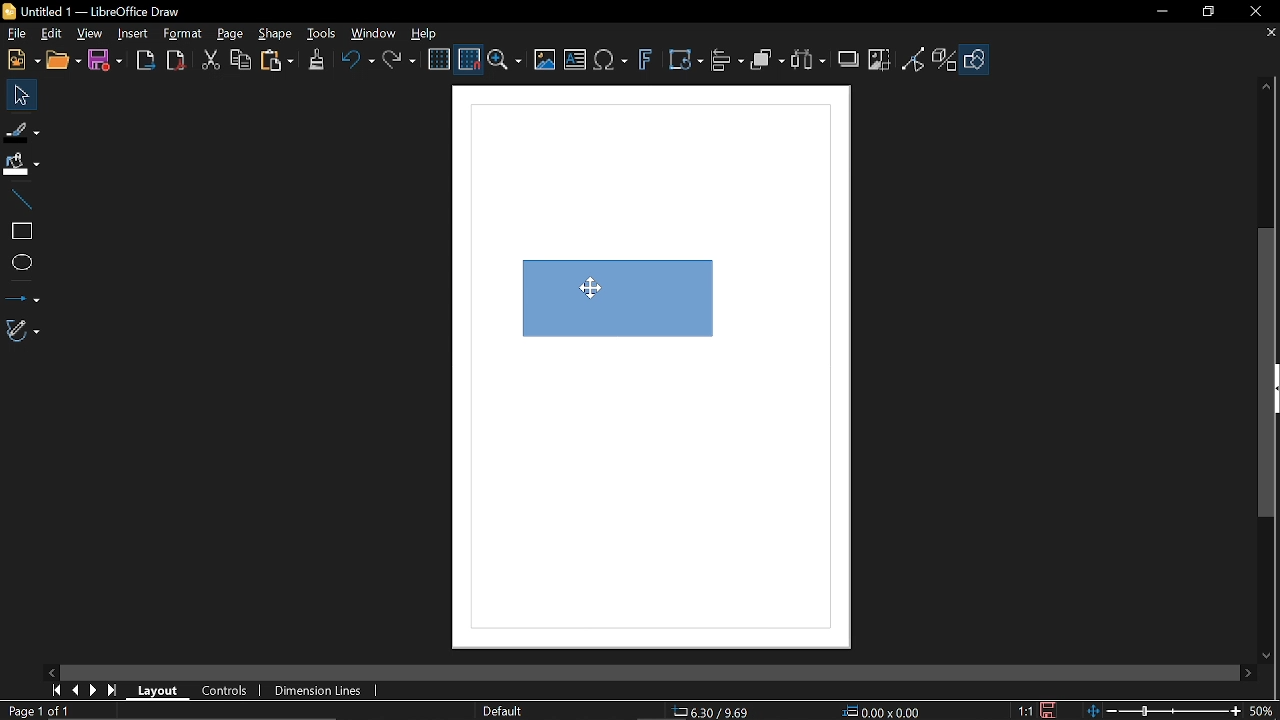 The width and height of the screenshot is (1280, 720). What do you see at coordinates (1265, 709) in the screenshot?
I see `50% (Current Zoom)` at bounding box center [1265, 709].